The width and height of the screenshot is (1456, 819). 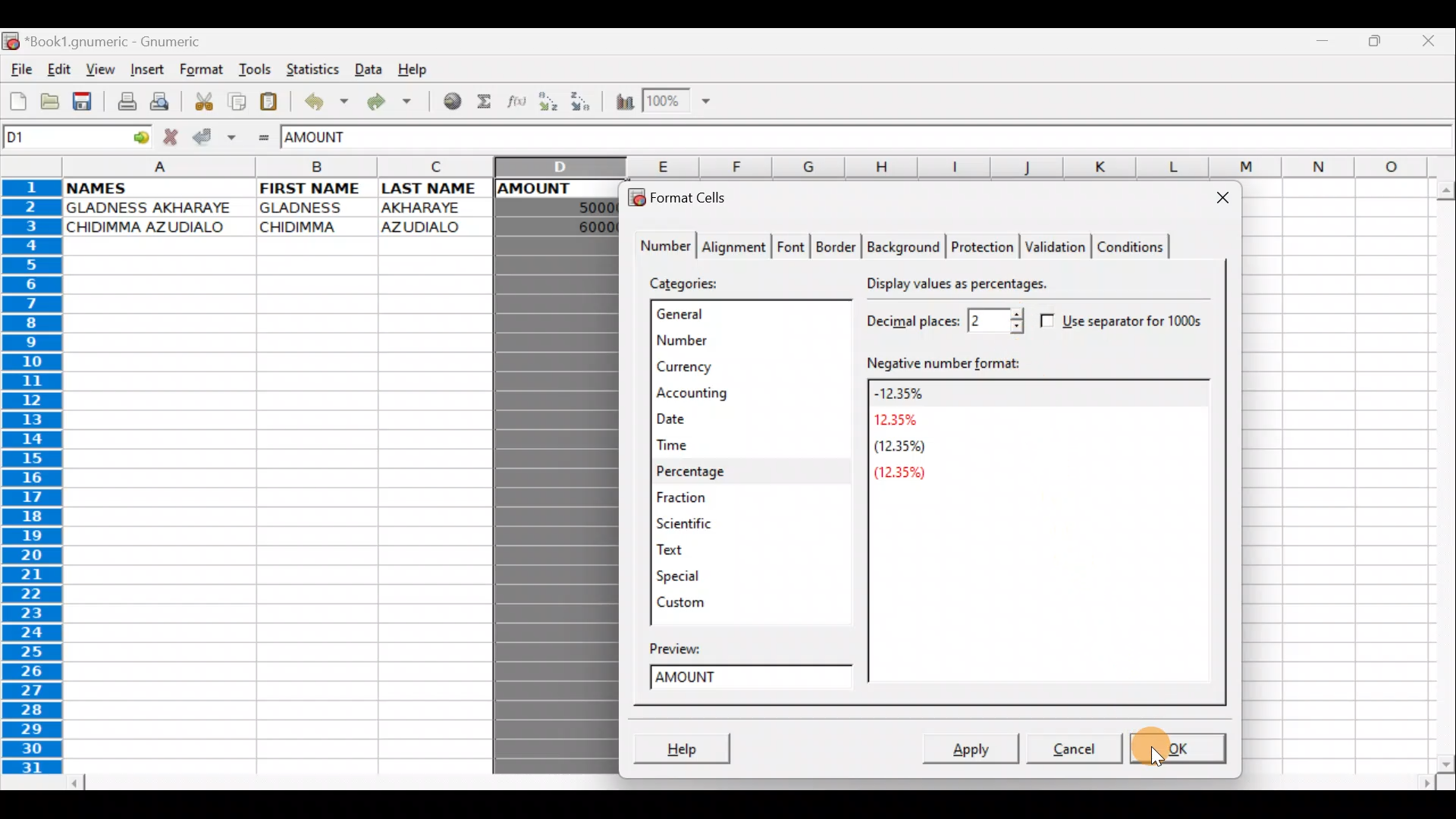 What do you see at coordinates (423, 207) in the screenshot?
I see `AKHARAYE` at bounding box center [423, 207].